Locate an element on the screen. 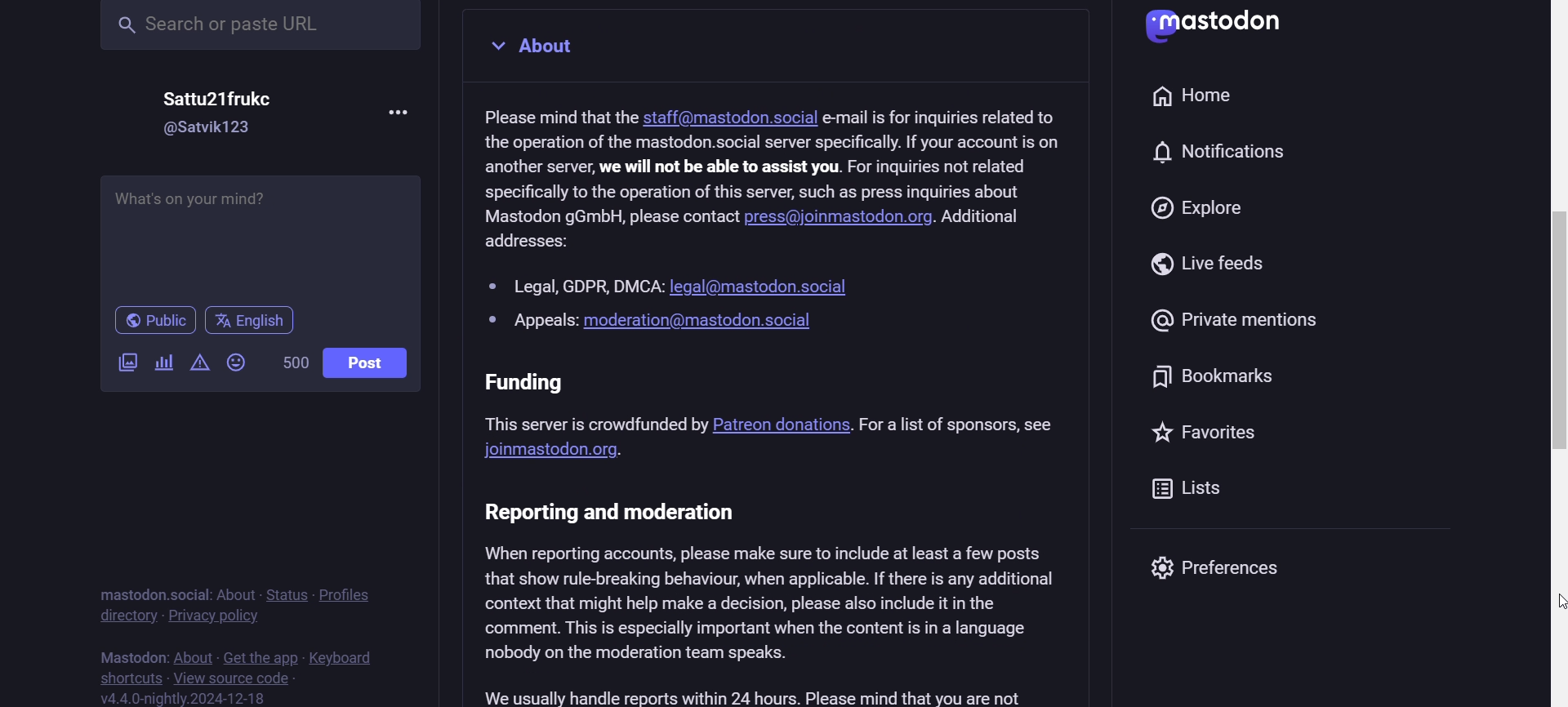 This screenshot has width=1568, height=707. staff@mastodon.social is located at coordinates (731, 118).